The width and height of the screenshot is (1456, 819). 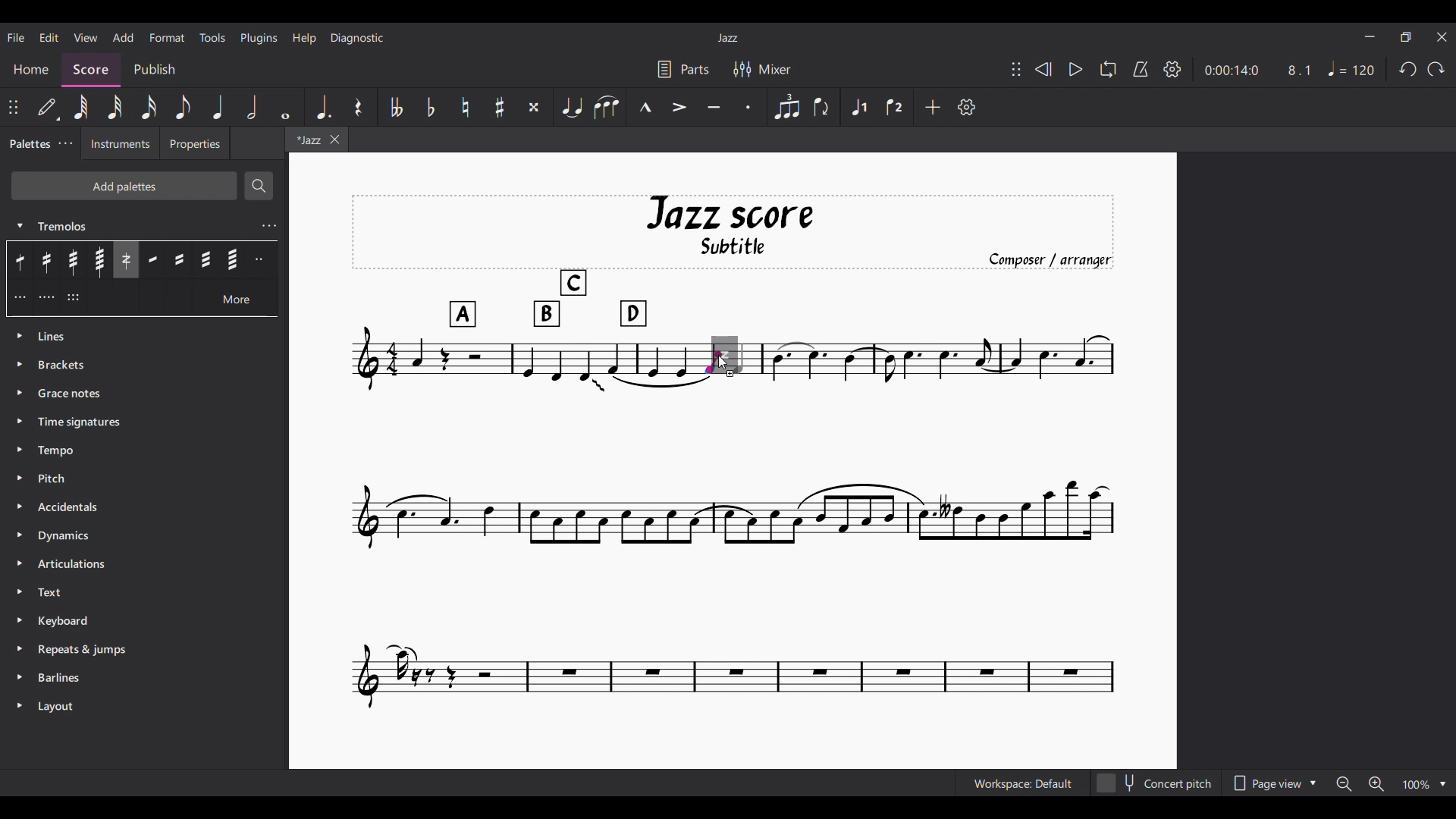 What do you see at coordinates (124, 186) in the screenshot?
I see `Add palettes` at bounding box center [124, 186].